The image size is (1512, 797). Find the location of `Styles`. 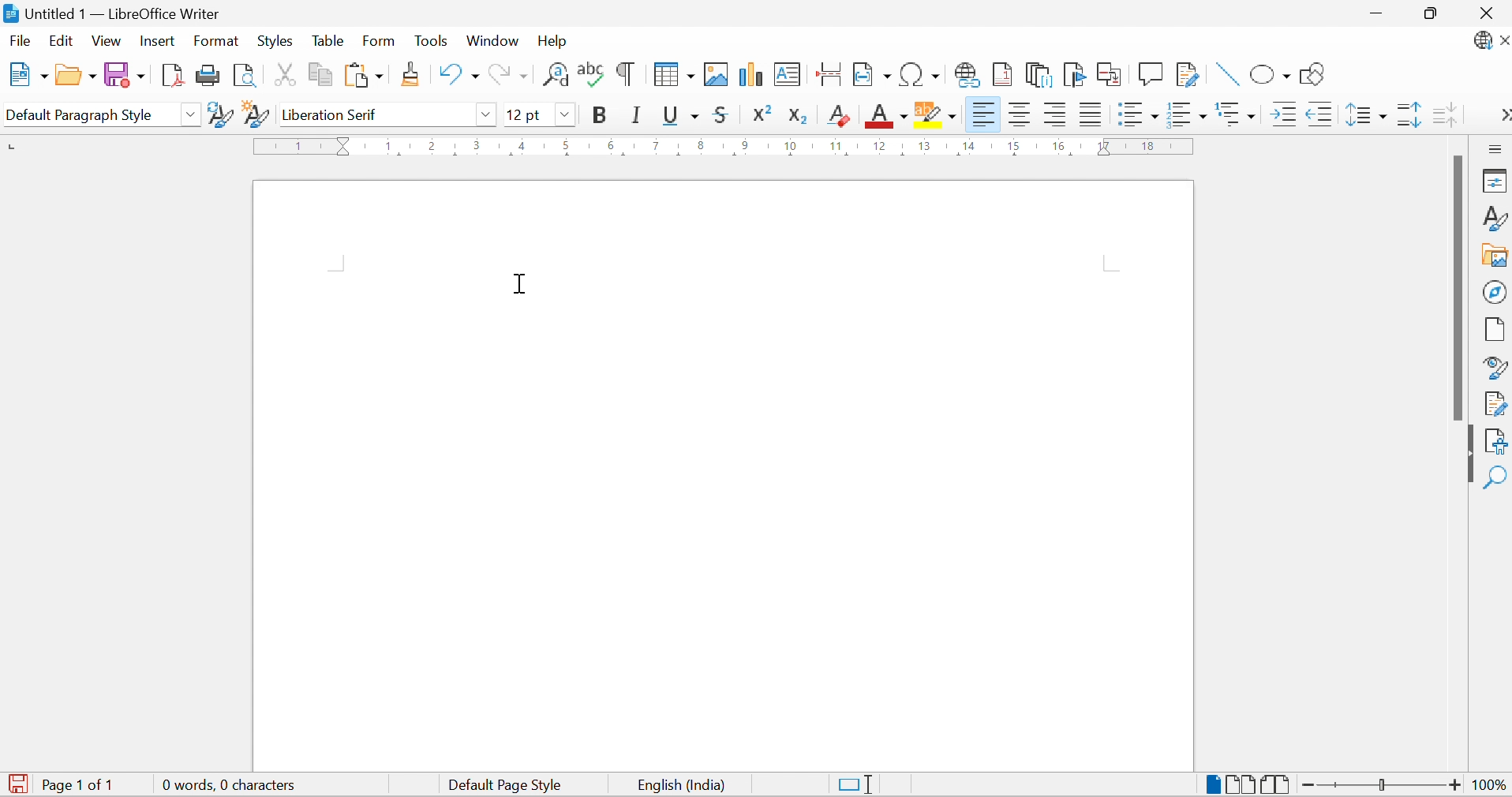

Styles is located at coordinates (274, 40).